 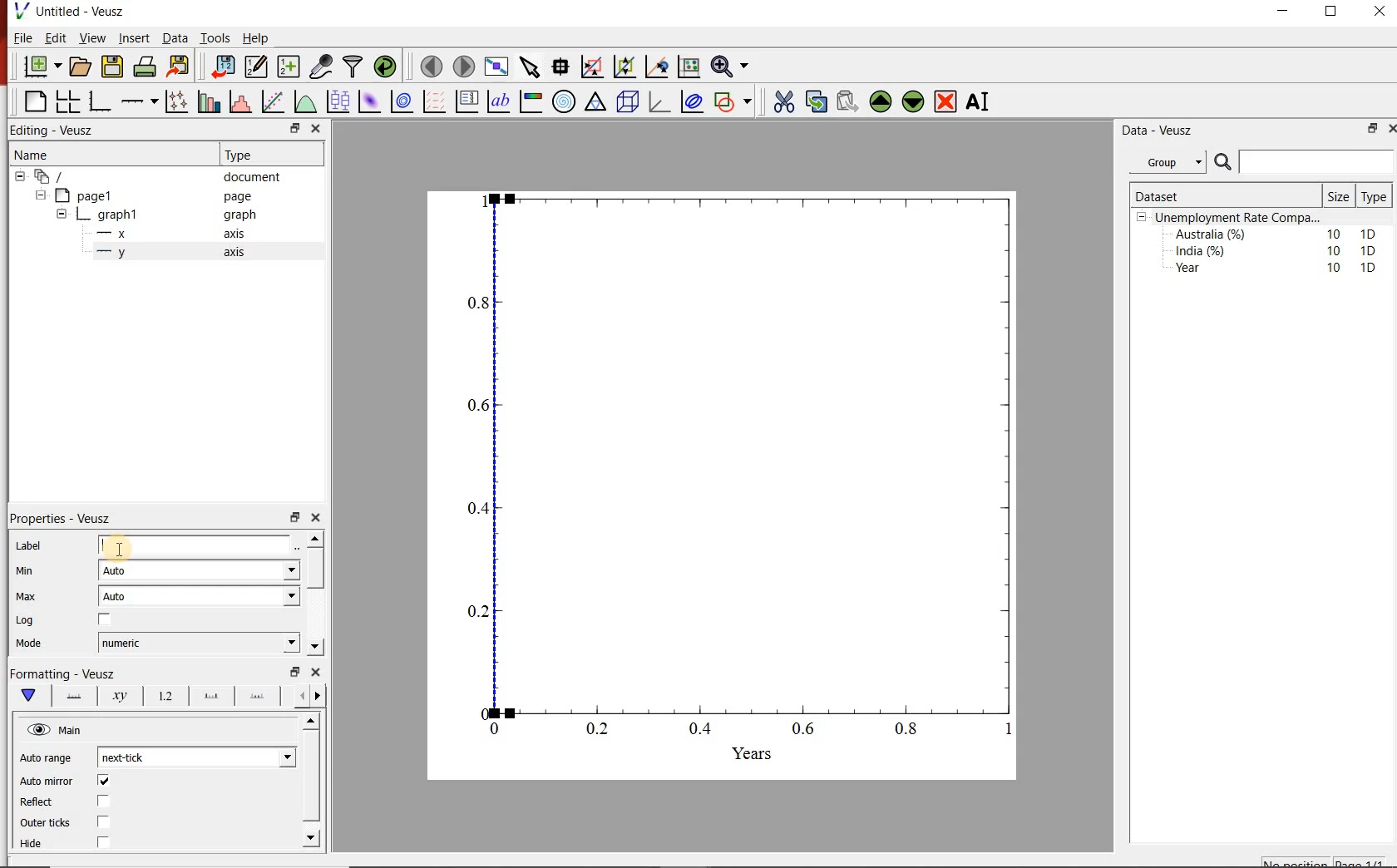 What do you see at coordinates (784, 101) in the screenshot?
I see `cut the widgets` at bounding box center [784, 101].